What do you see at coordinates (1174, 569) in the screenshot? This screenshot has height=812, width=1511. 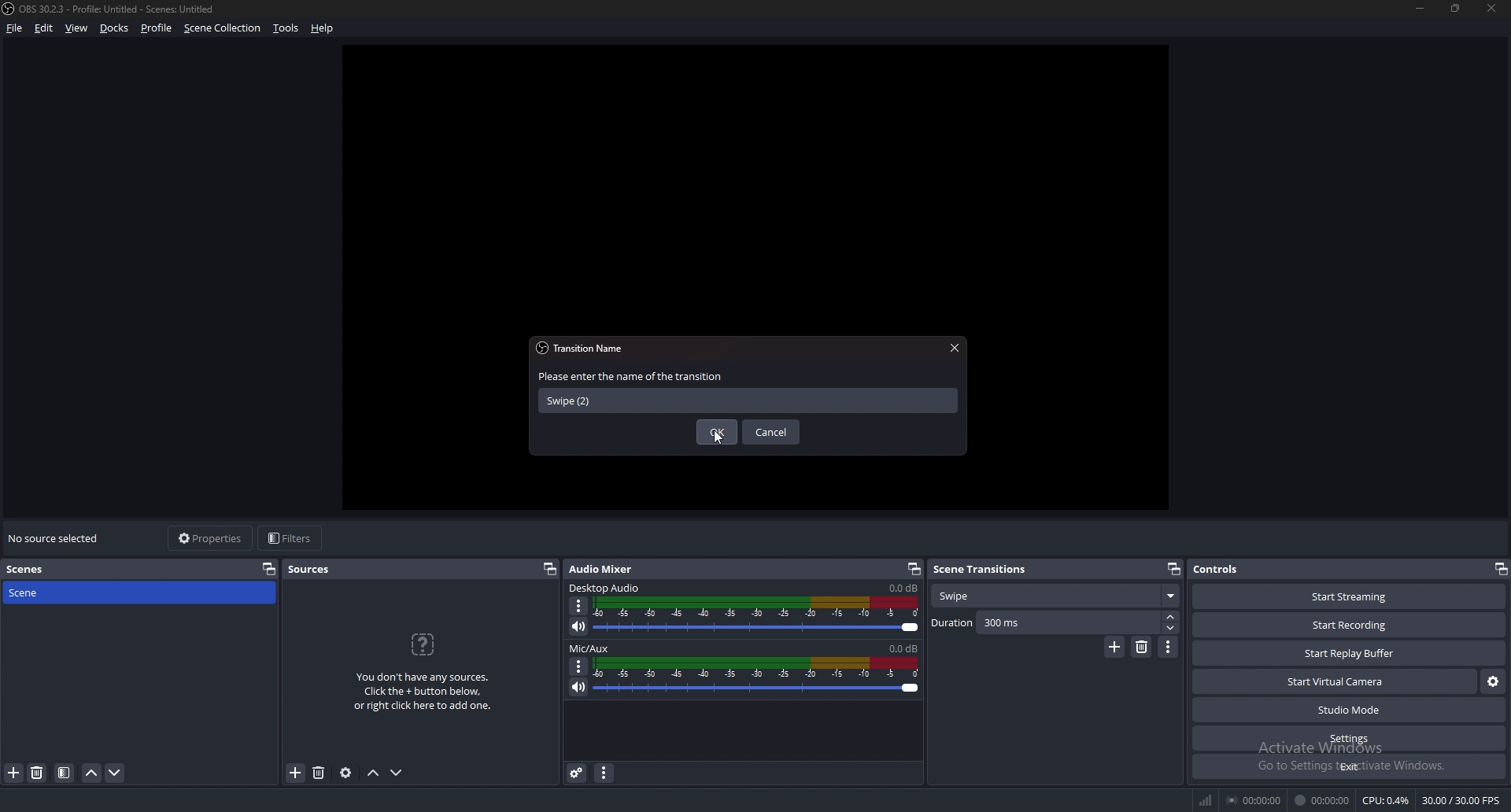 I see `pop out` at bounding box center [1174, 569].